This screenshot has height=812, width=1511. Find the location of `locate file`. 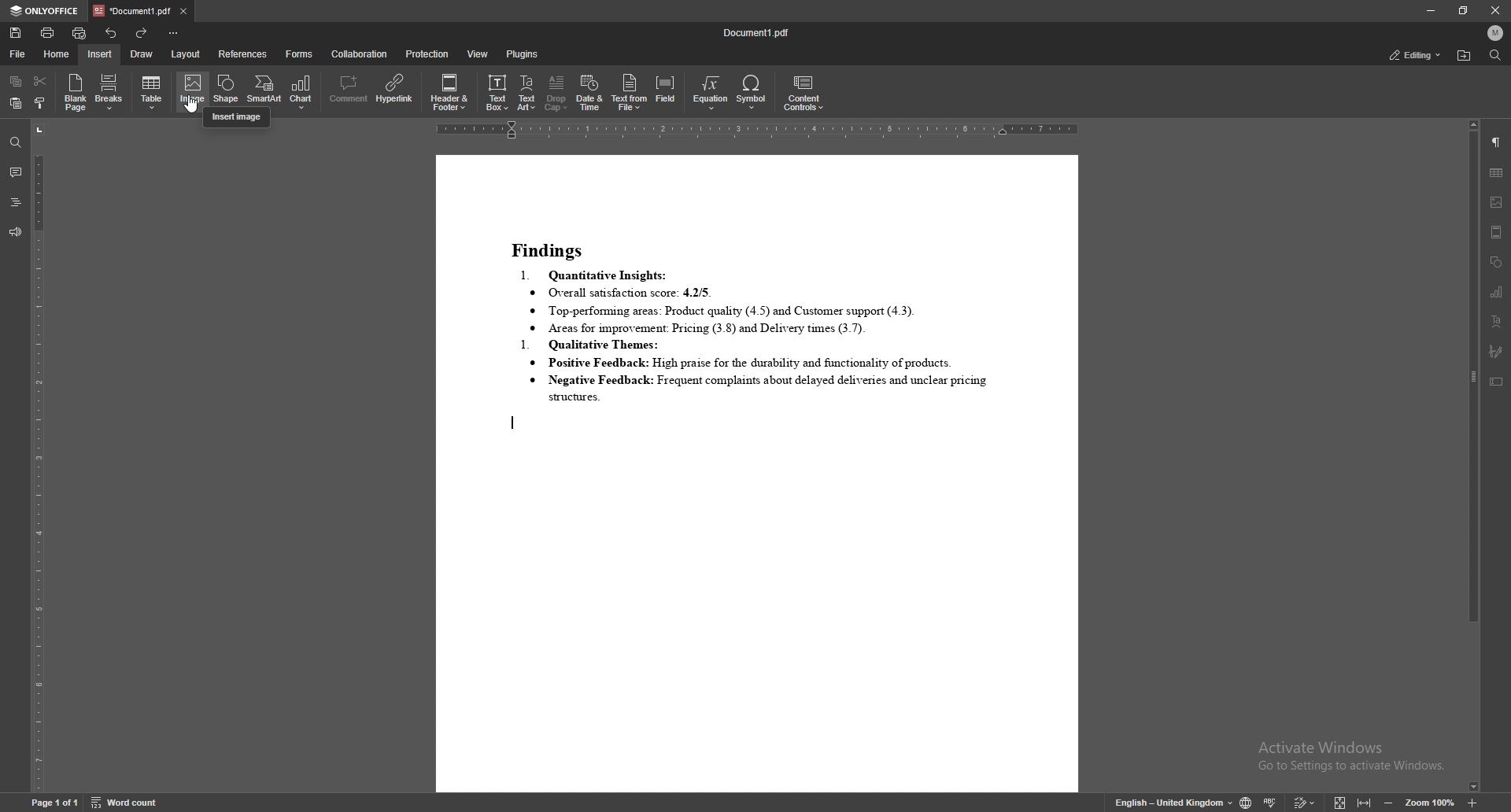

locate file is located at coordinates (1465, 55).